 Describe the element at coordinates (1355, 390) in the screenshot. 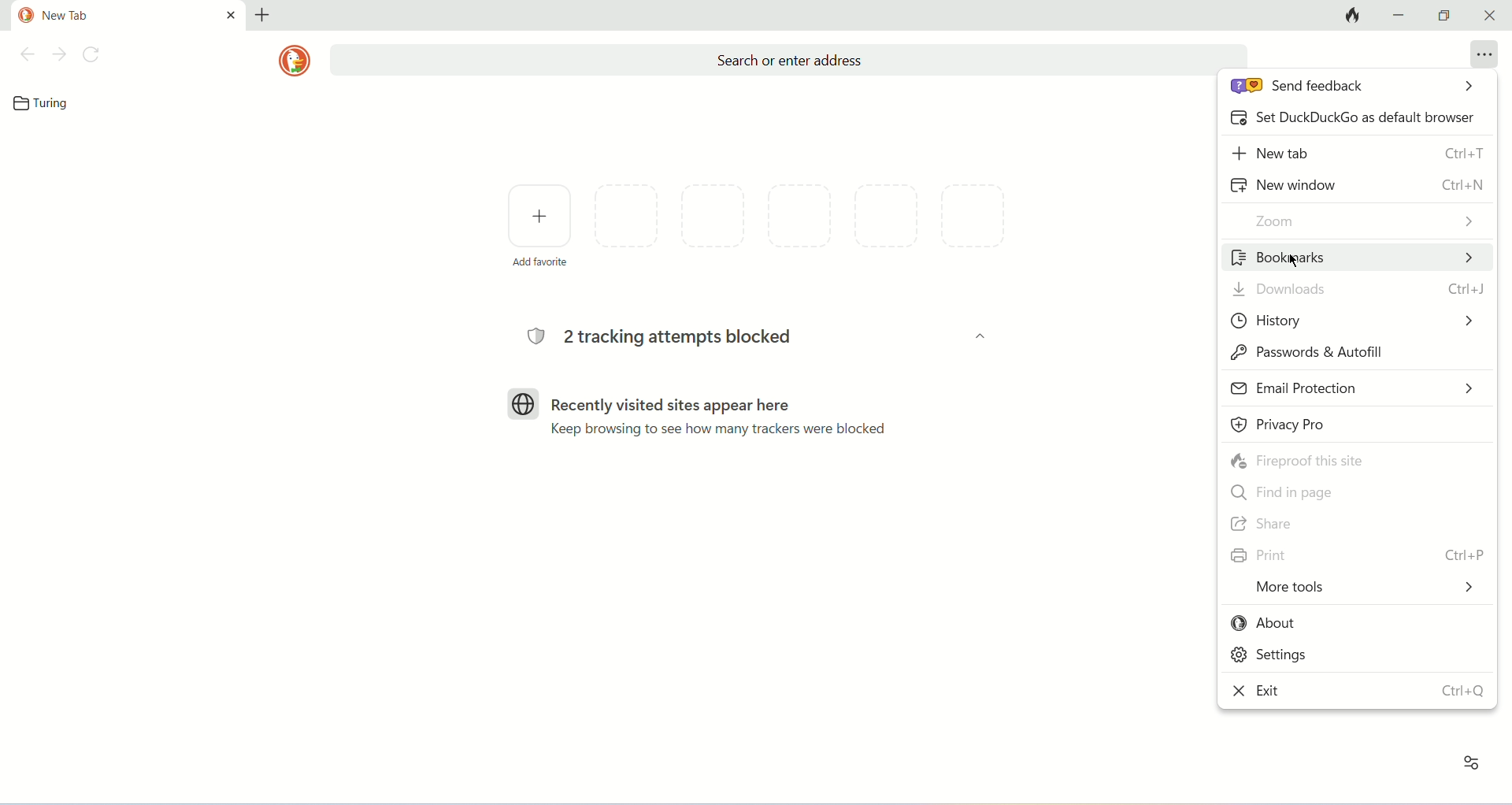

I see `email protection` at that location.